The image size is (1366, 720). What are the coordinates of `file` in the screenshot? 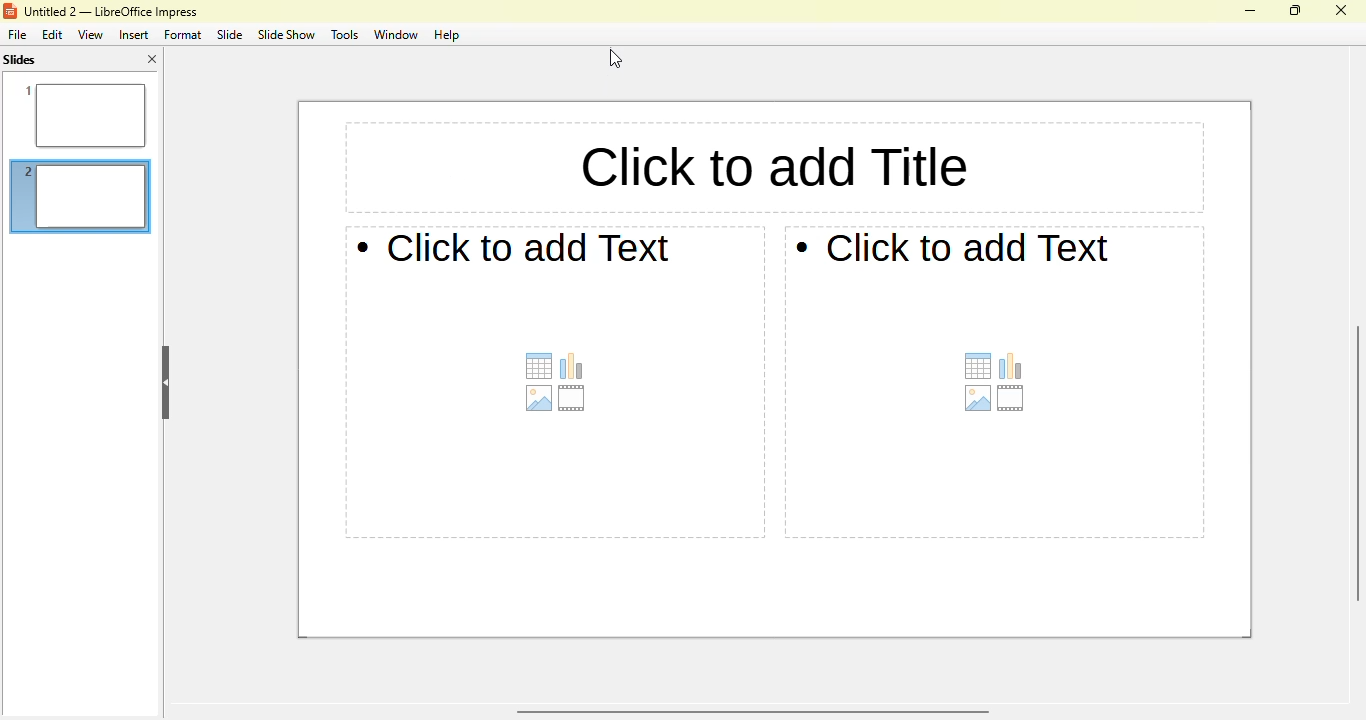 It's located at (16, 34).